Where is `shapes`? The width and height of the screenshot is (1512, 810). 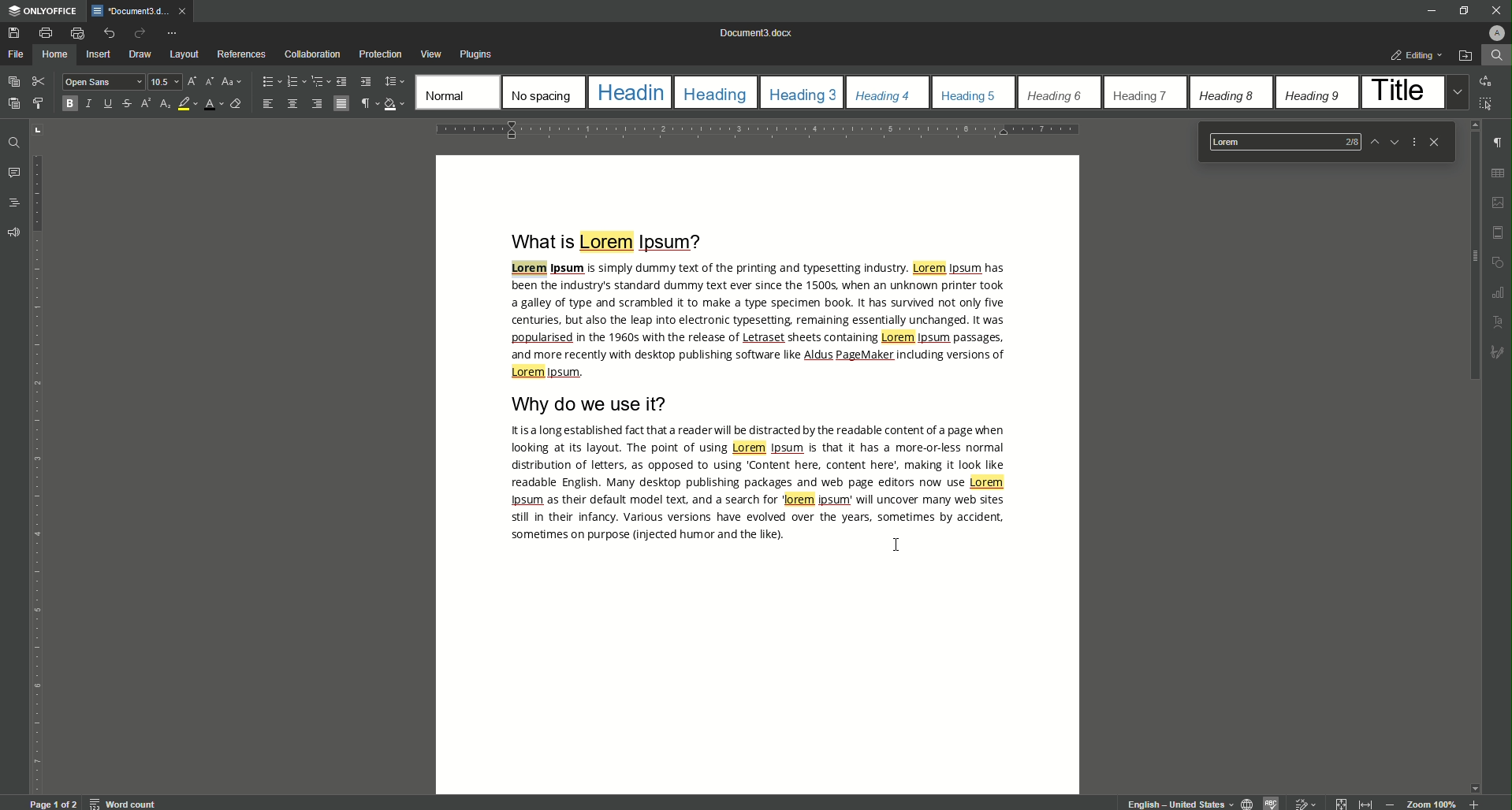 shapes is located at coordinates (1499, 260).